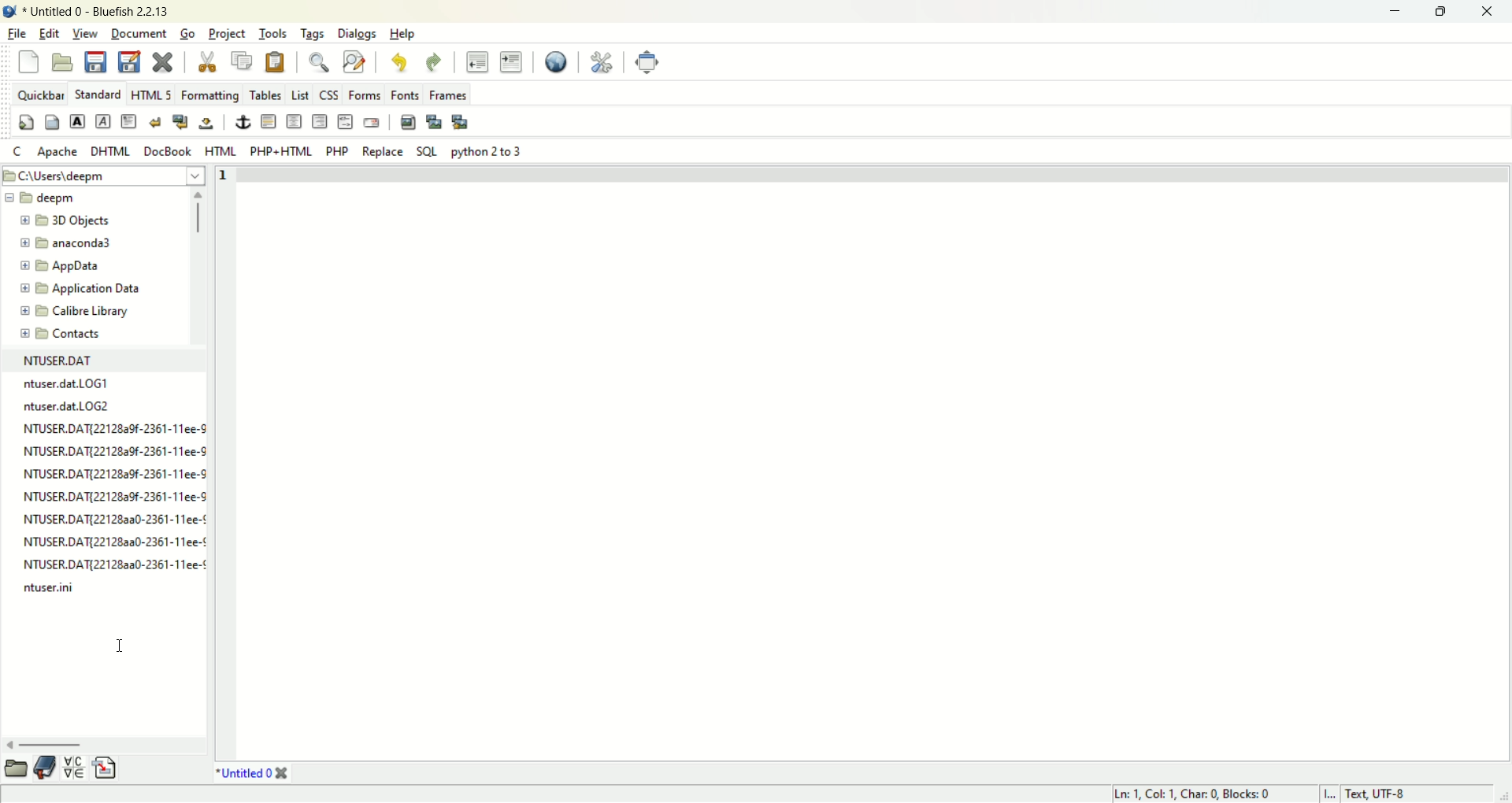  Describe the element at coordinates (600, 63) in the screenshot. I see `preferences` at that location.